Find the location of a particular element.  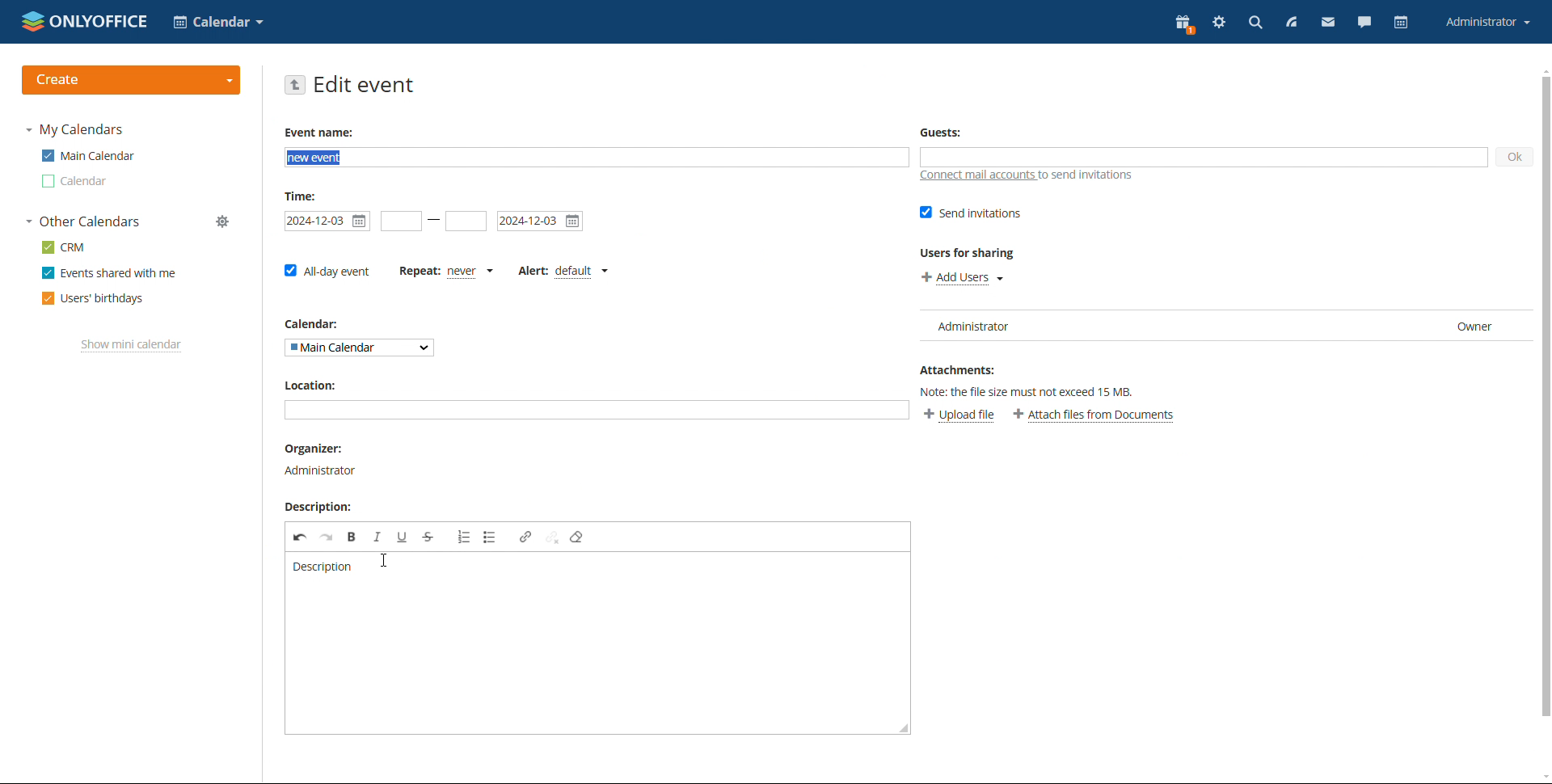

start date is located at coordinates (328, 221).